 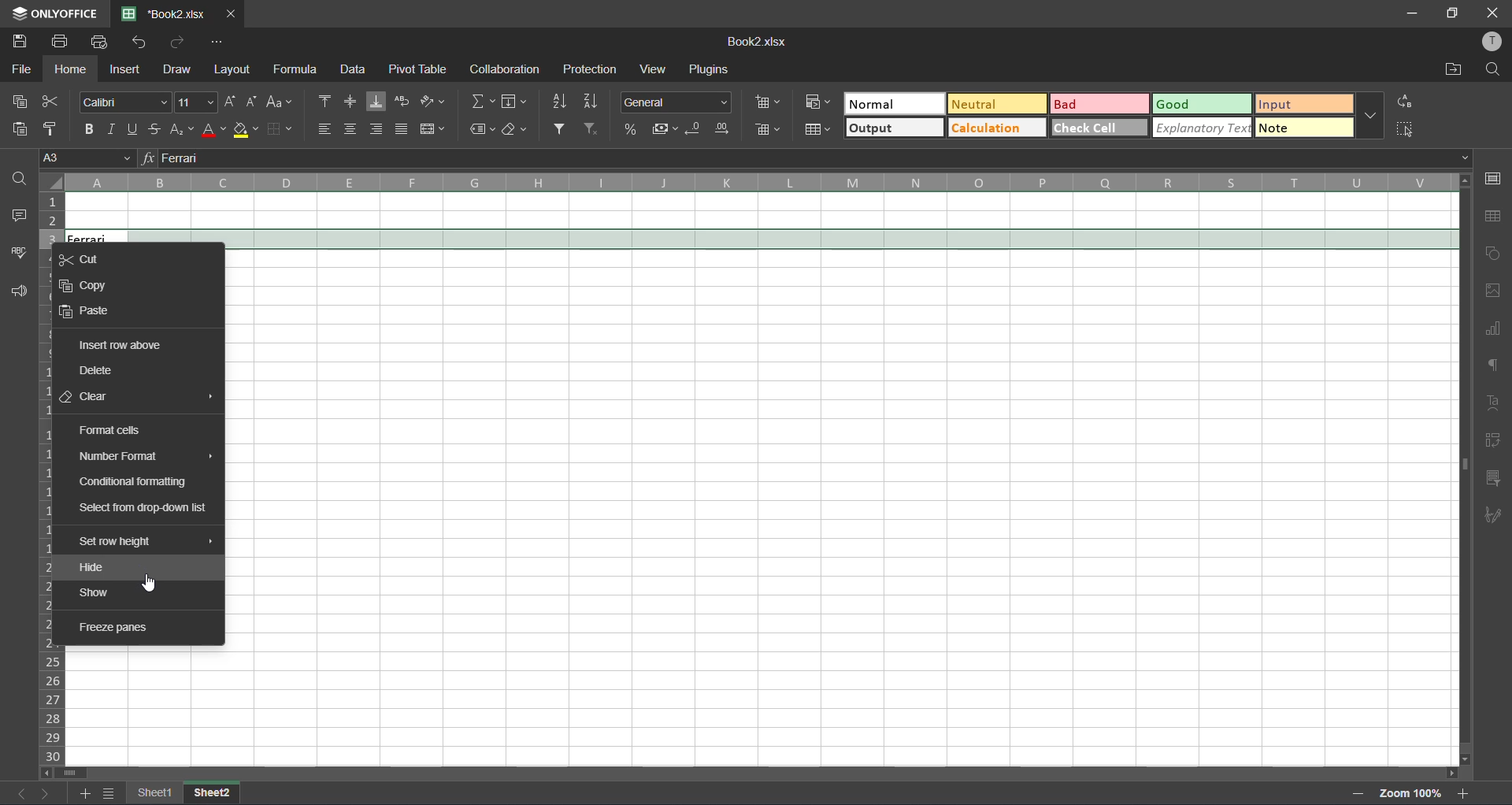 I want to click on decrement size, so click(x=254, y=102).